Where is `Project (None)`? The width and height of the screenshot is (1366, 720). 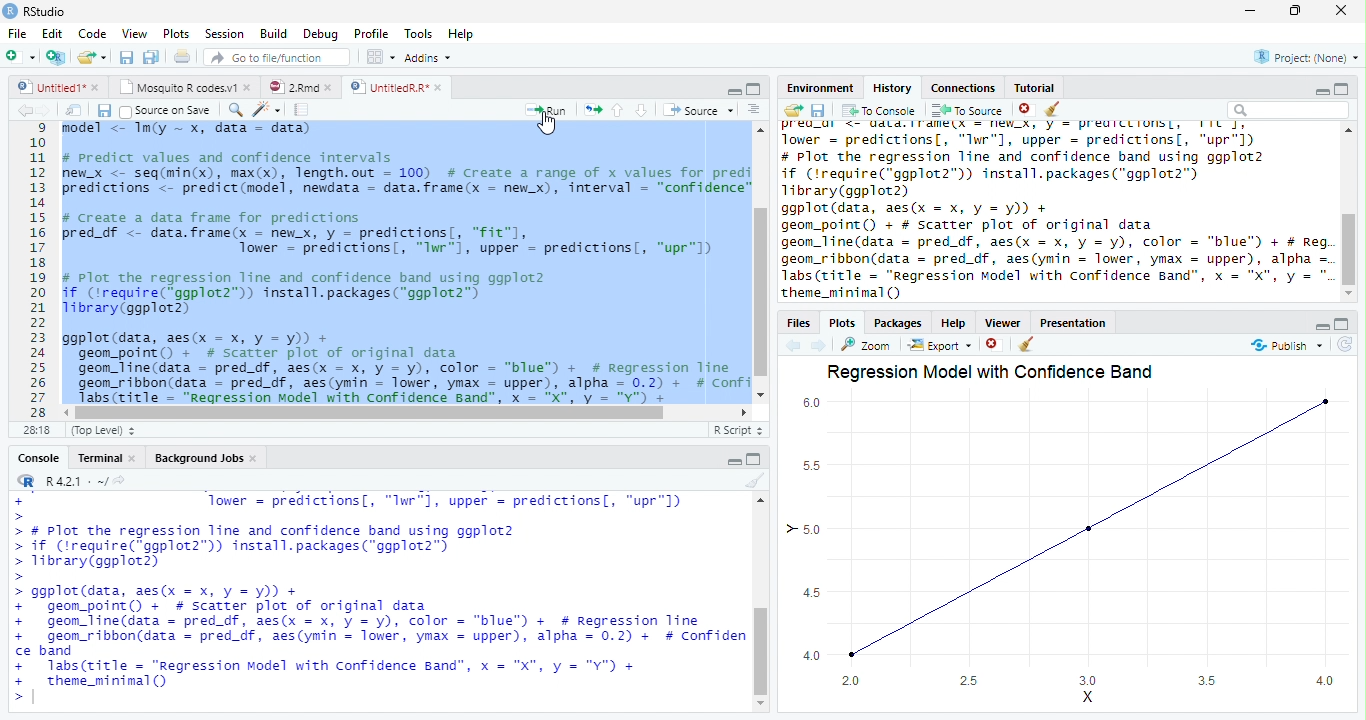 Project (None) is located at coordinates (1307, 56).